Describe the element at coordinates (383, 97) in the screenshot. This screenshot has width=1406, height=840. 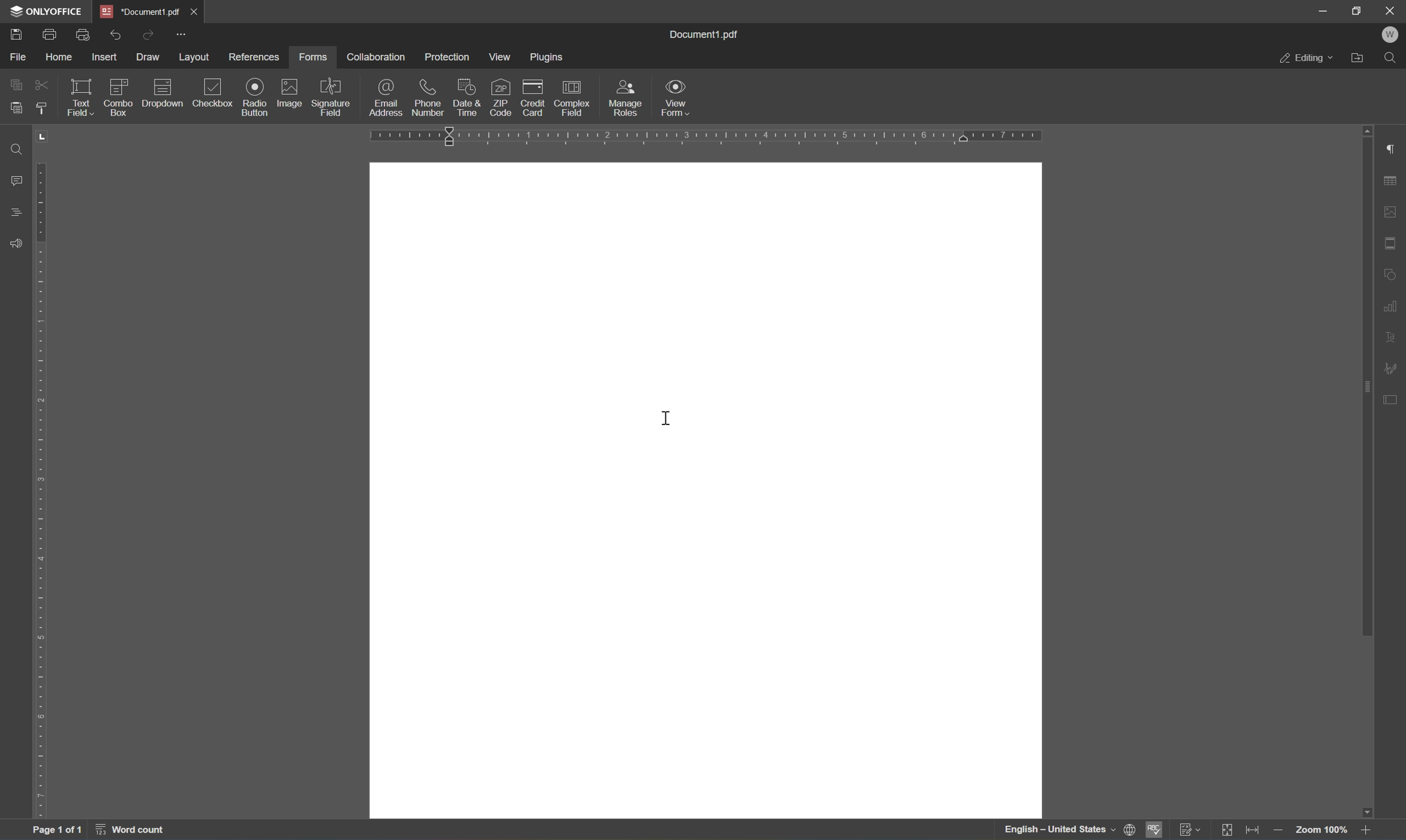
I see `email address` at that location.